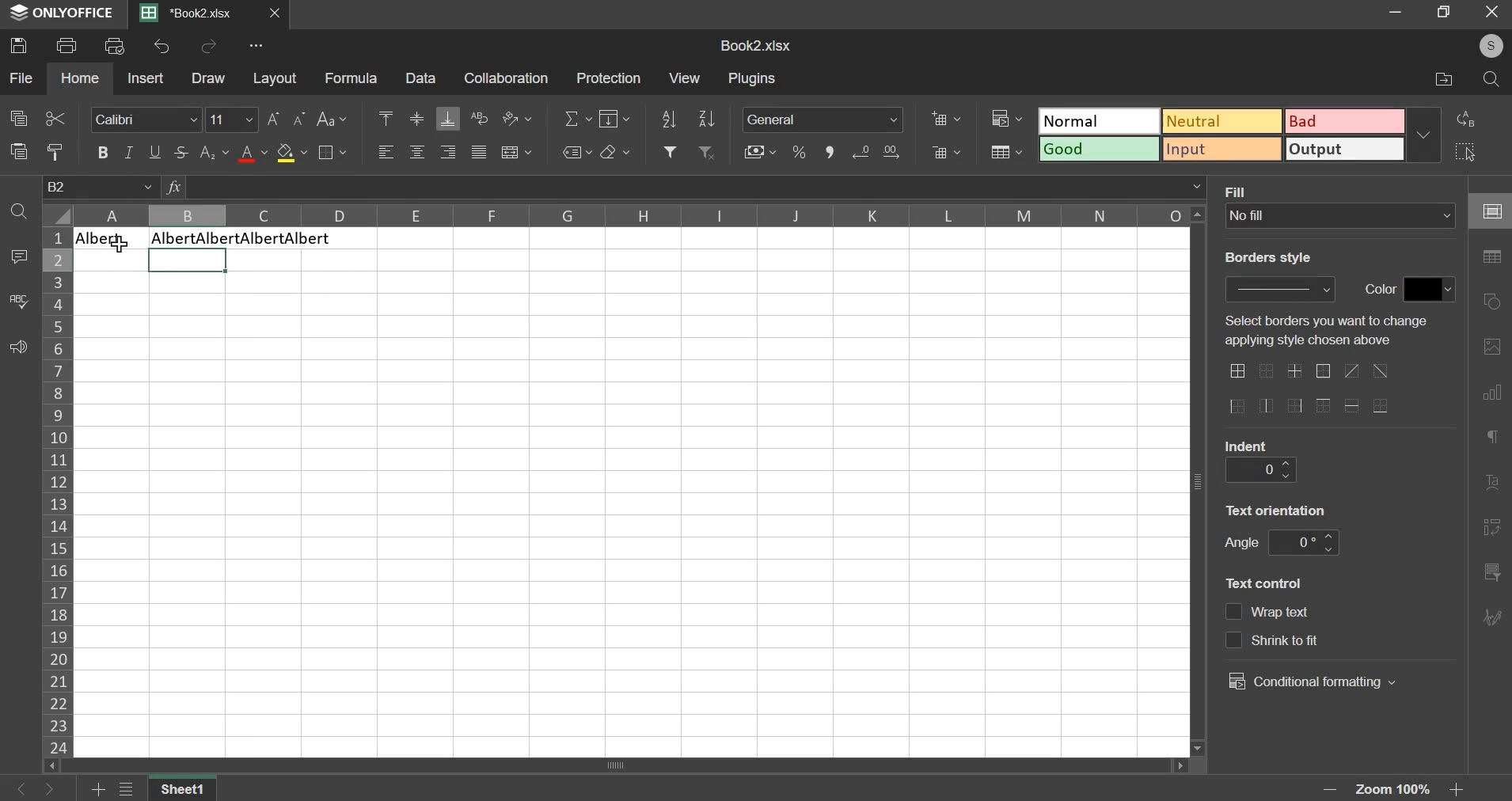 The width and height of the screenshot is (1512, 801). I want to click on add cells, so click(946, 117).